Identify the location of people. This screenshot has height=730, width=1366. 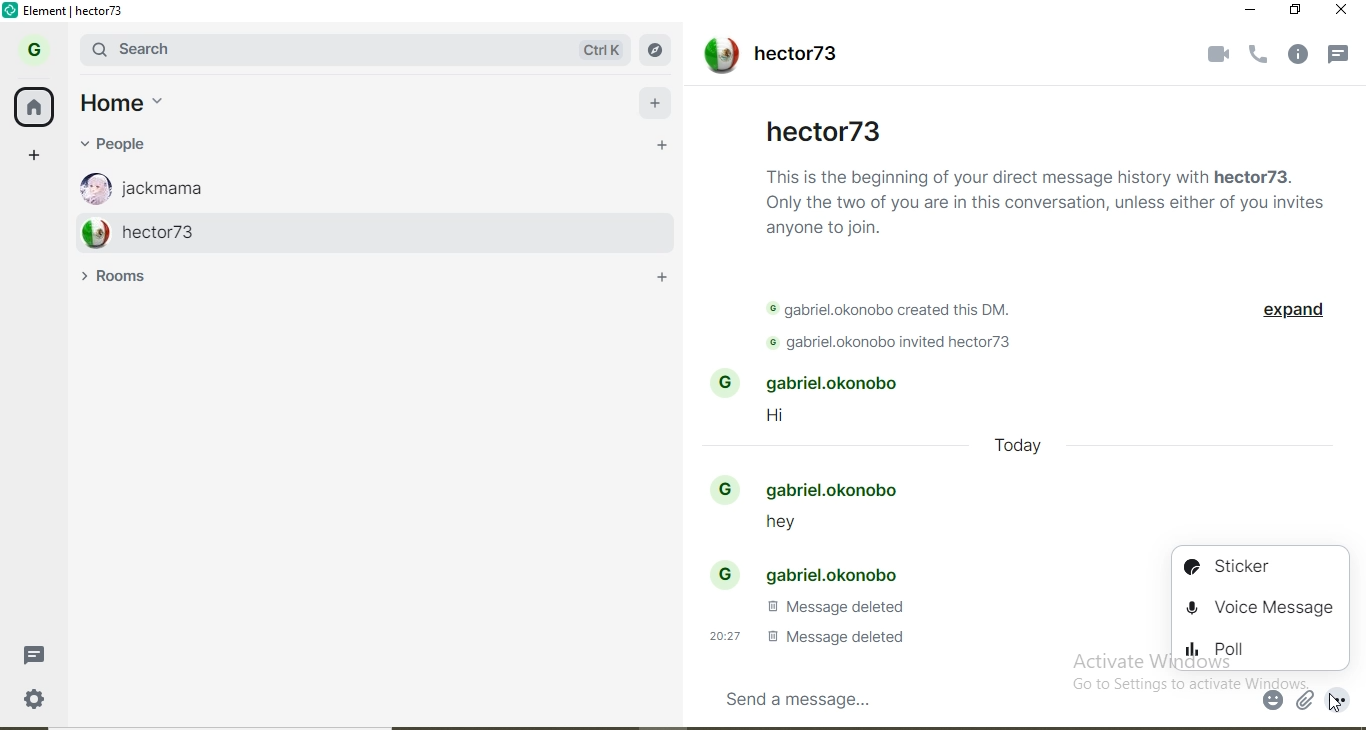
(131, 144).